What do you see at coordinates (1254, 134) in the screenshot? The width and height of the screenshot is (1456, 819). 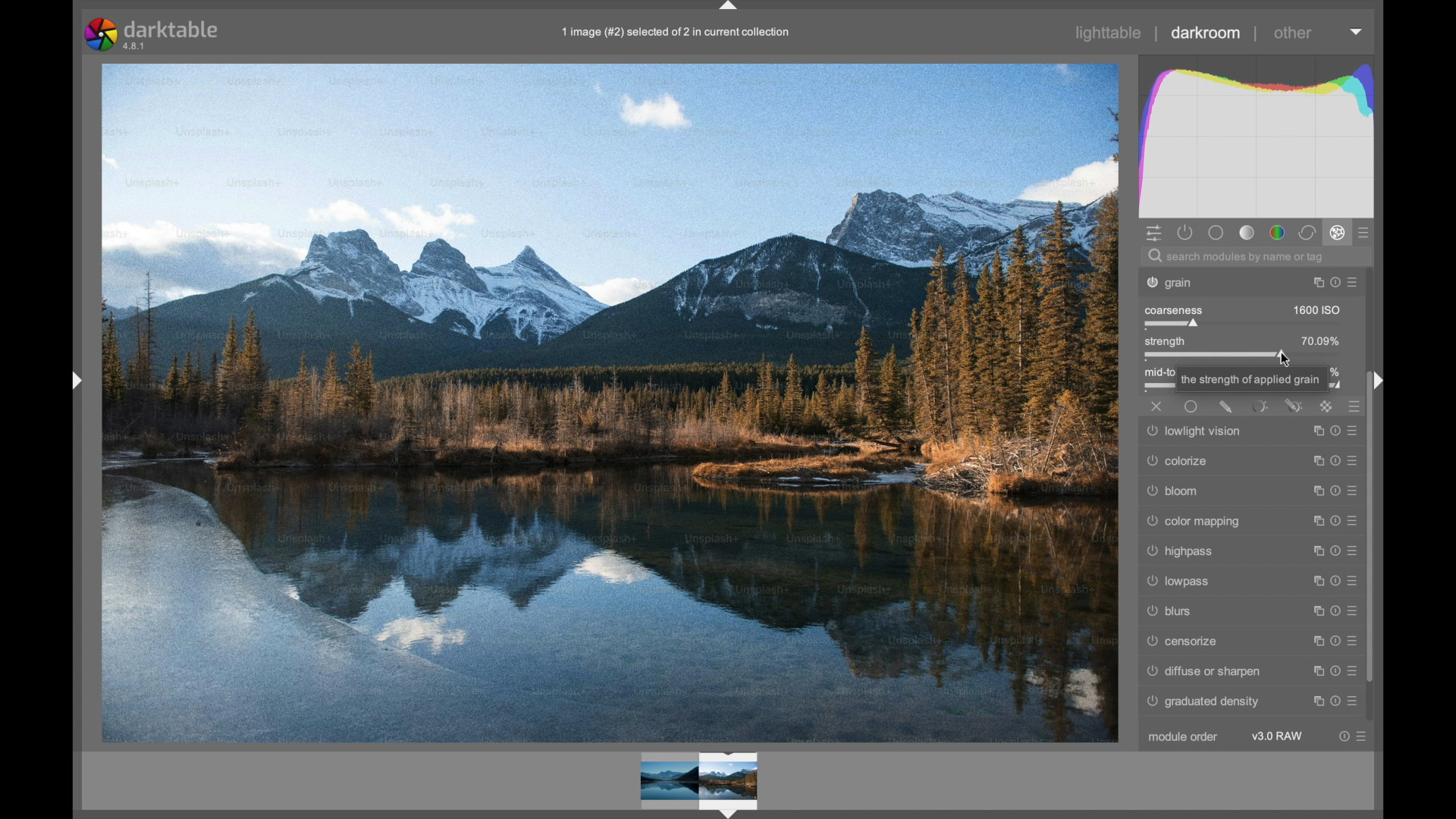 I see `histogram` at bounding box center [1254, 134].